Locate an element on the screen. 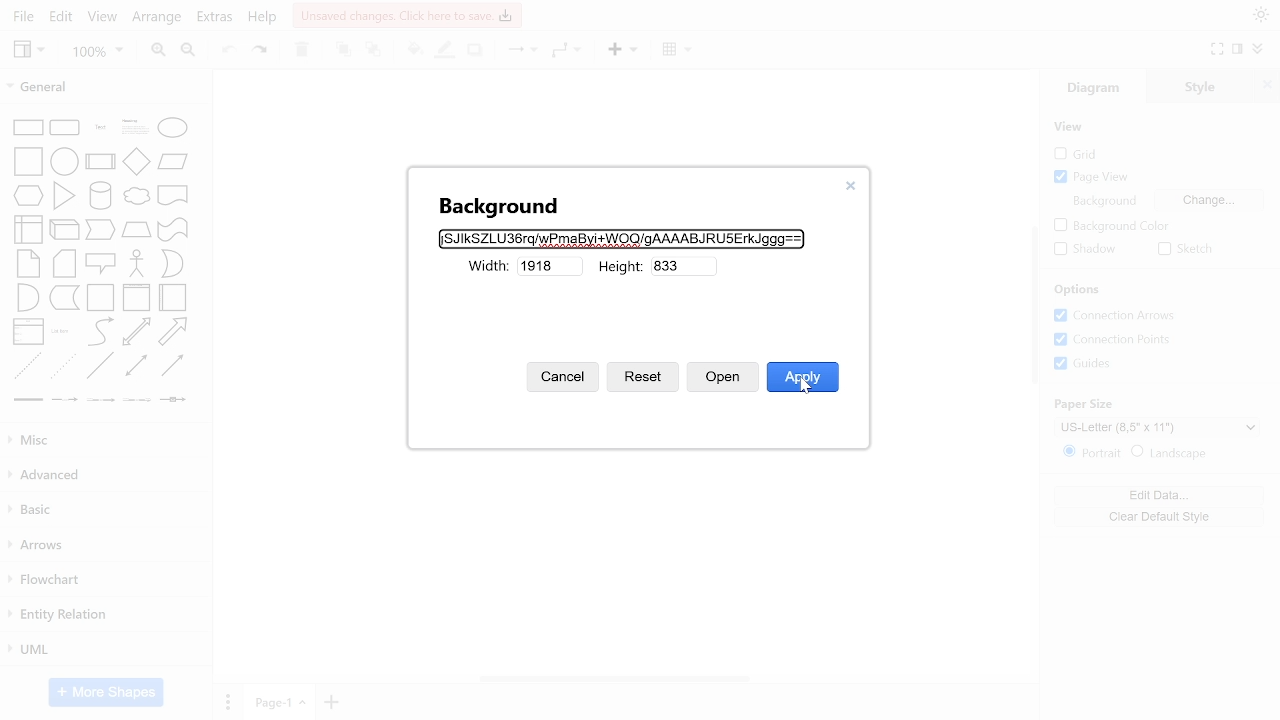 The height and width of the screenshot is (720, 1280). general shapes is located at coordinates (25, 400).